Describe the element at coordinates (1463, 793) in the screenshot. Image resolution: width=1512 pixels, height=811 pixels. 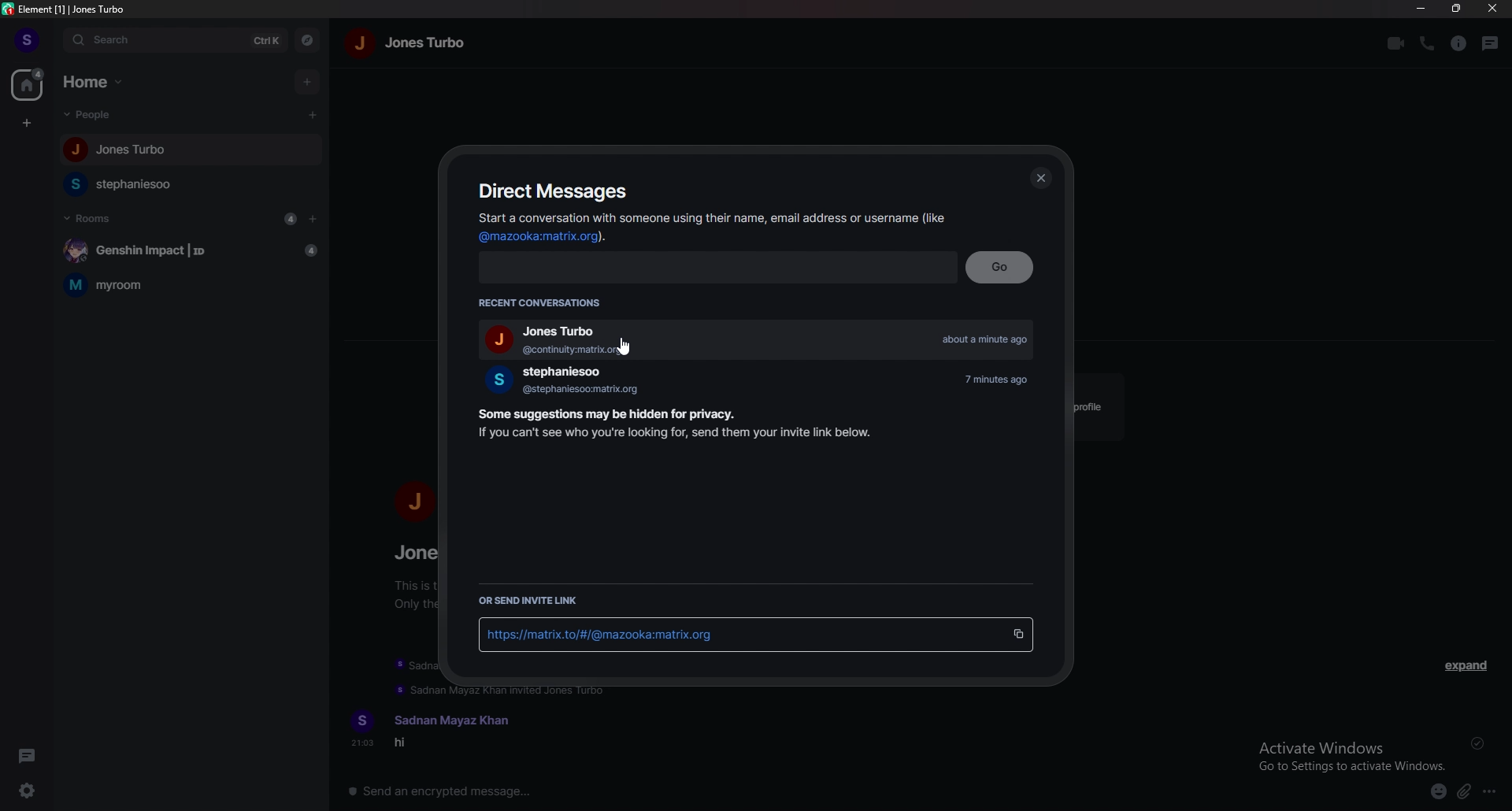
I see `attachments` at that location.